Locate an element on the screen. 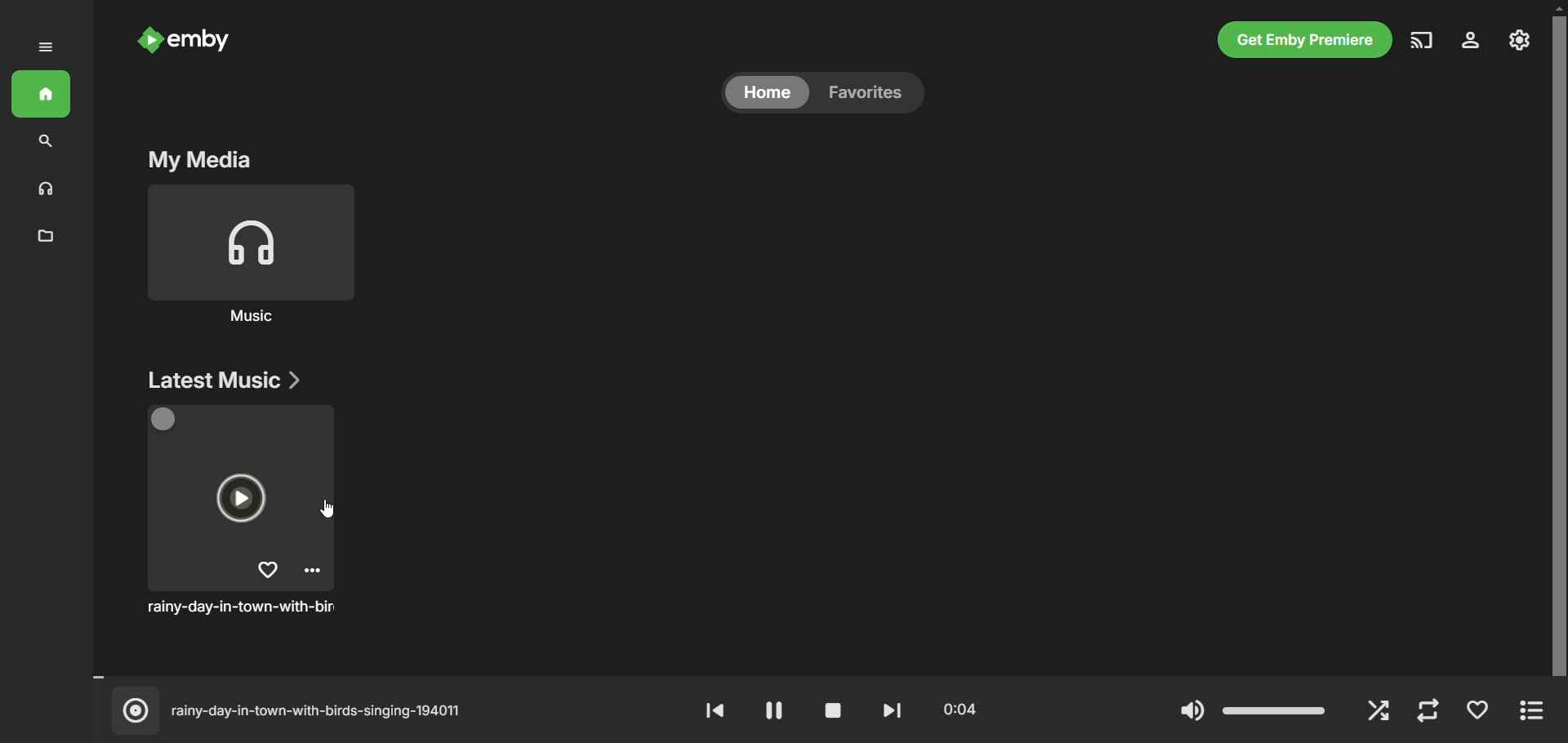 This screenshot has width=1568, height=743. music is located at coordinates (248, 244).